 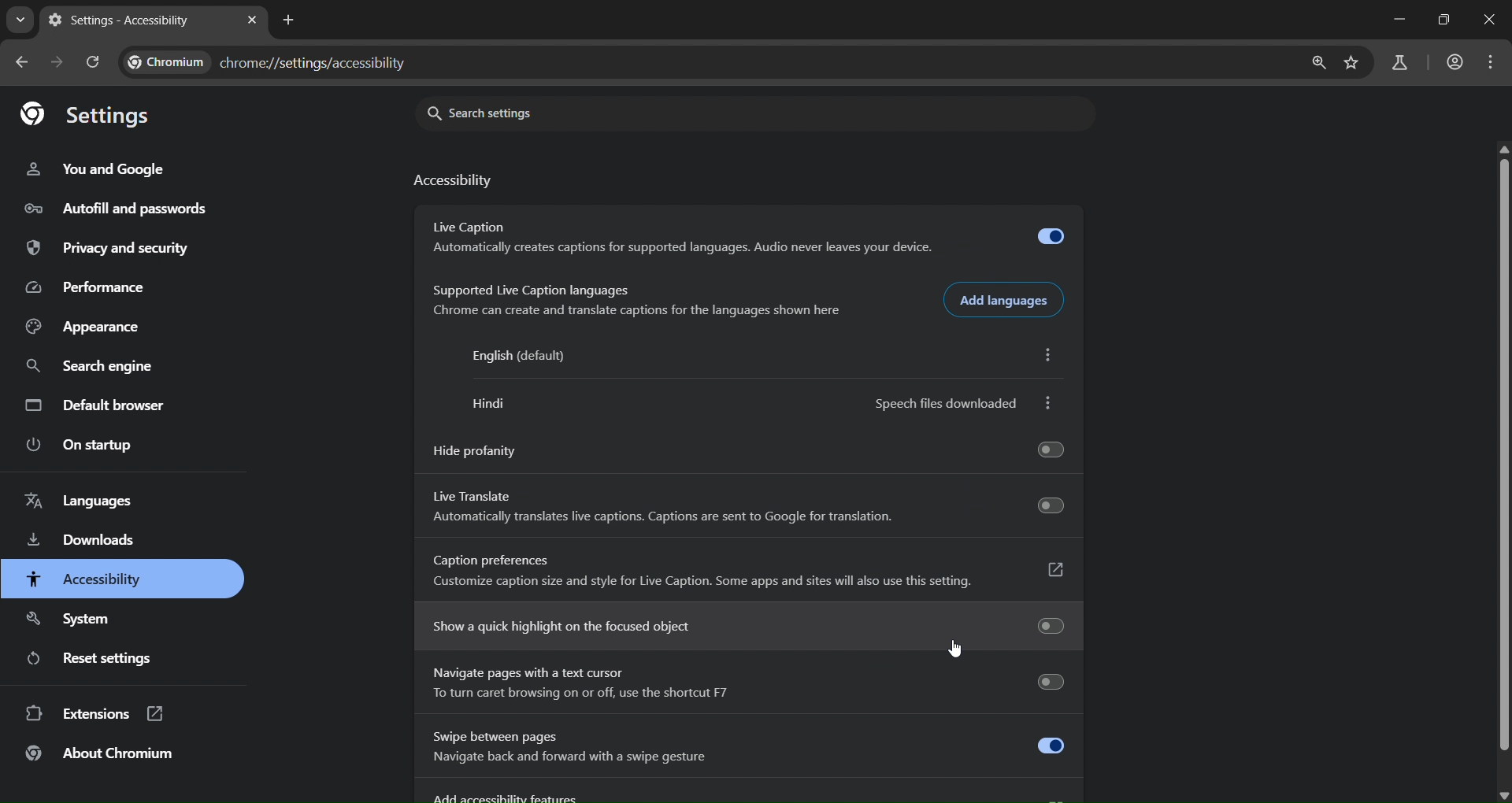 I want to click on add languages, so click(x=1012, y=301).